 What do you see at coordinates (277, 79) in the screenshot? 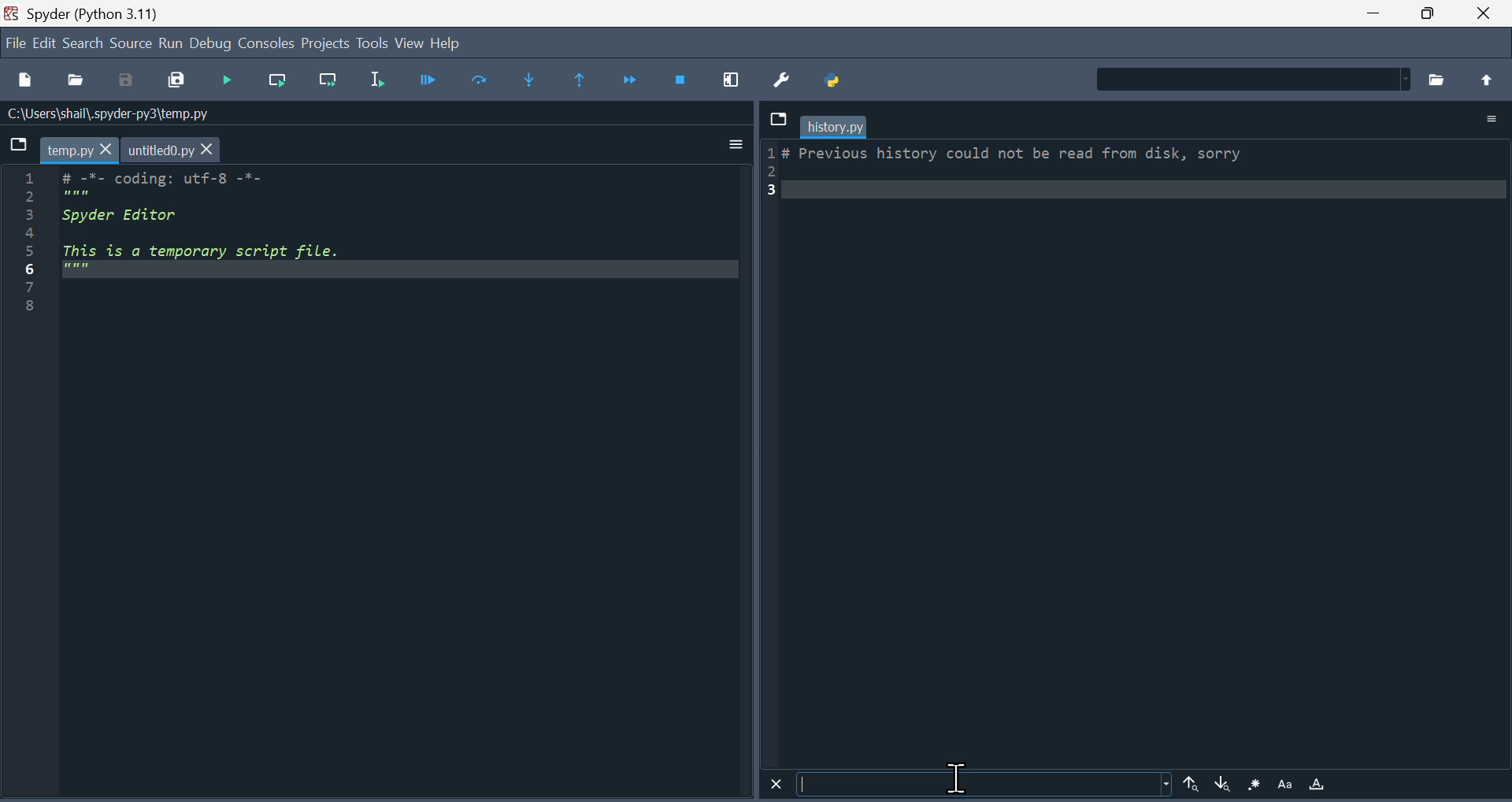
I see `run current line` at bounding box center [277, 79].